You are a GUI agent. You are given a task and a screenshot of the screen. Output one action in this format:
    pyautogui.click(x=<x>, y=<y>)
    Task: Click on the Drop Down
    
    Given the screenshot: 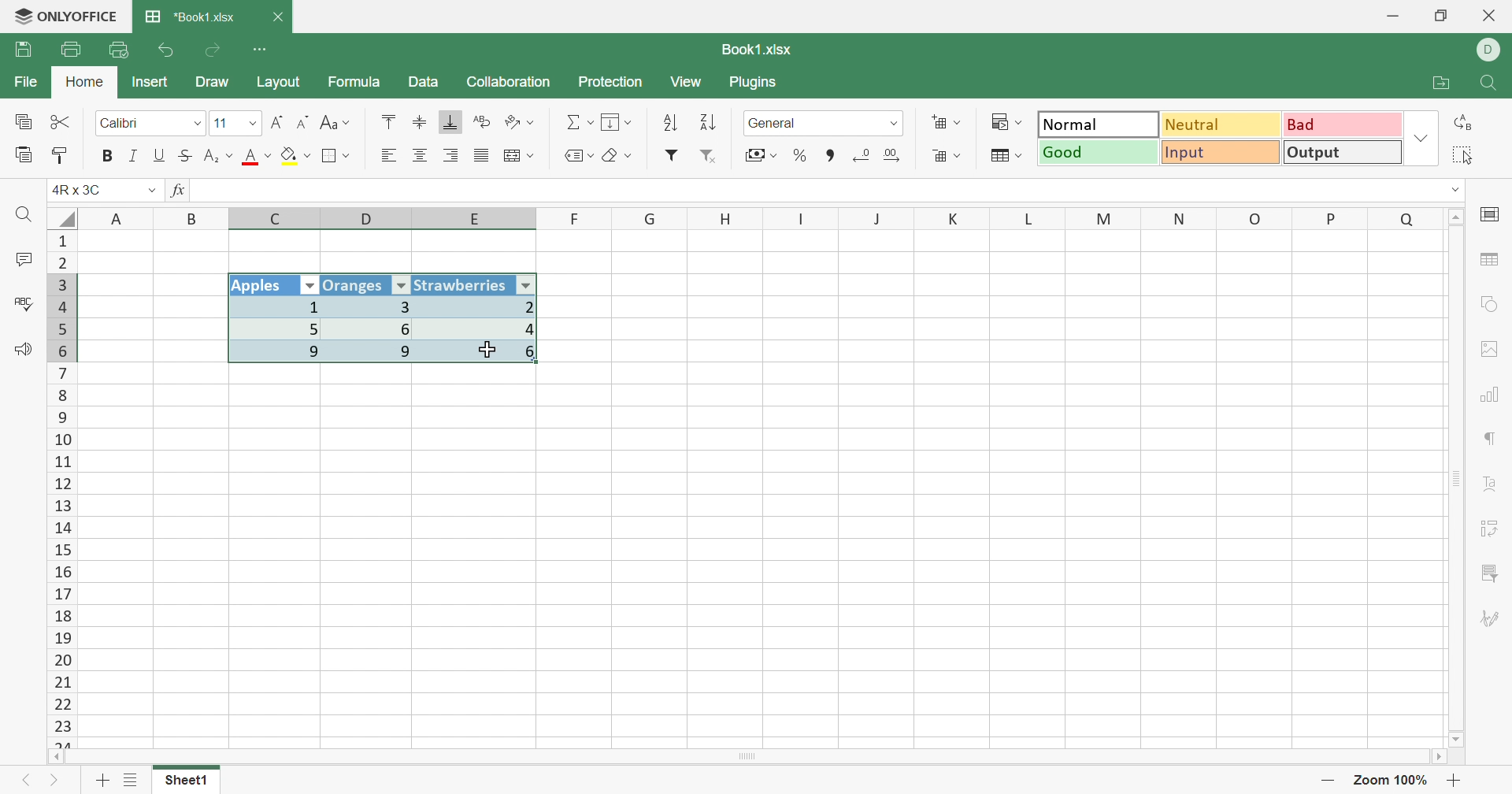 What is the action you would take?
    pyautogui.click(x=195, y=124)
    